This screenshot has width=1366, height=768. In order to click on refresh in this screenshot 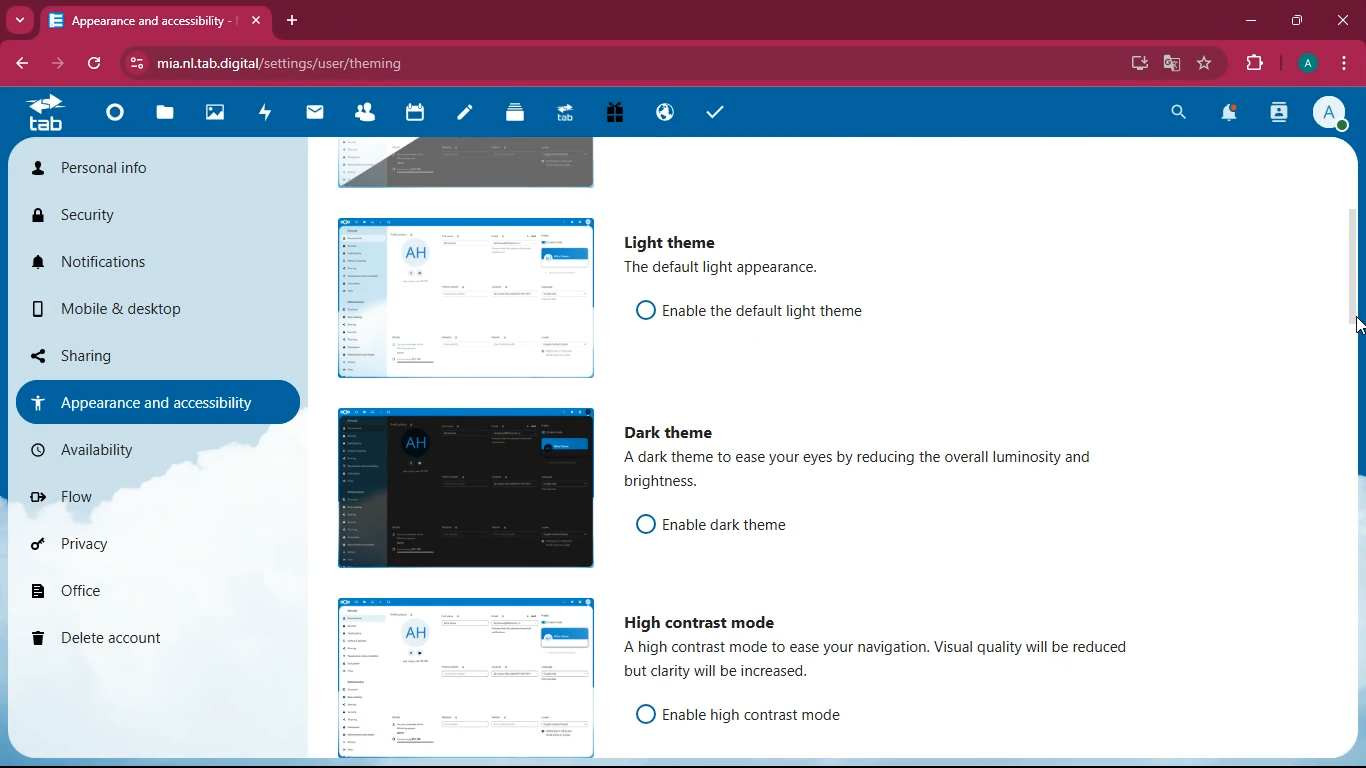, I will do `click(91, 65)`.